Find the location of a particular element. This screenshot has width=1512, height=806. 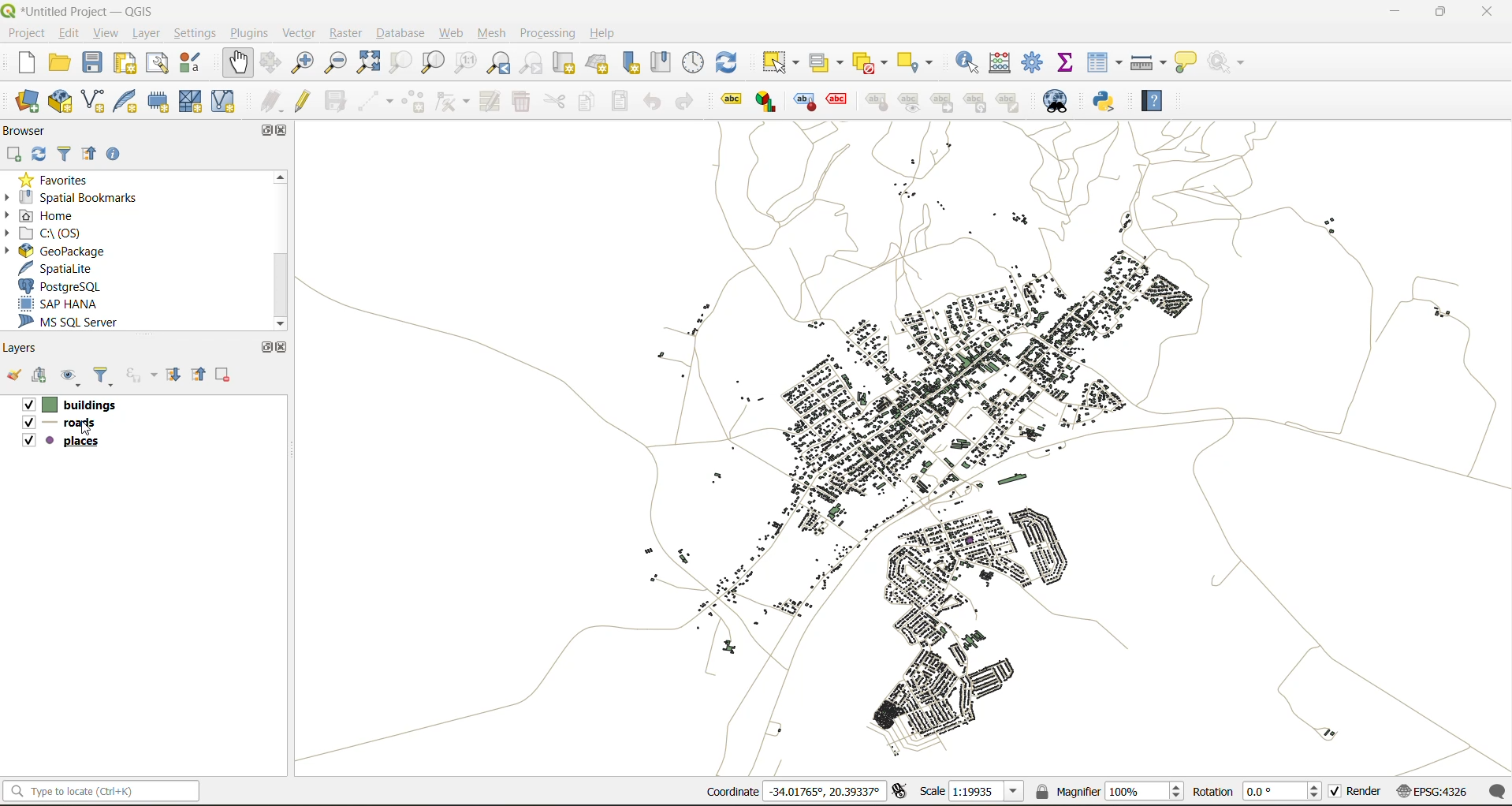

vector is located at coordinates (299, 34).